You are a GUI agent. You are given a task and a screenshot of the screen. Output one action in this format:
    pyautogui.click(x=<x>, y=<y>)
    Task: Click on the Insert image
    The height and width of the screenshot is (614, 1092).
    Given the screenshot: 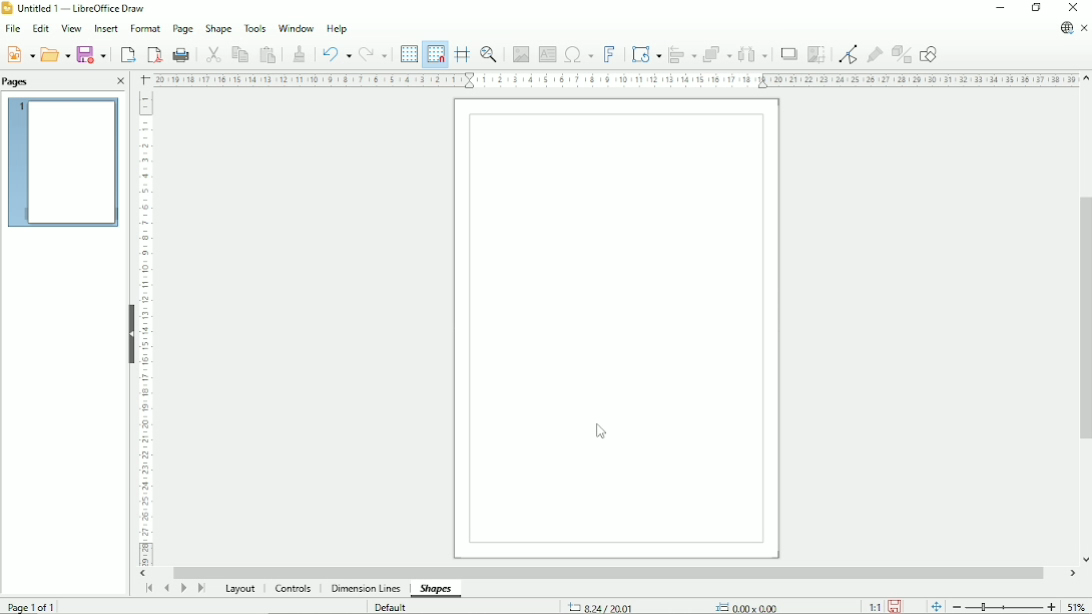 What is the action you would take?
    pyautogui.click(x=520, y=52)
    